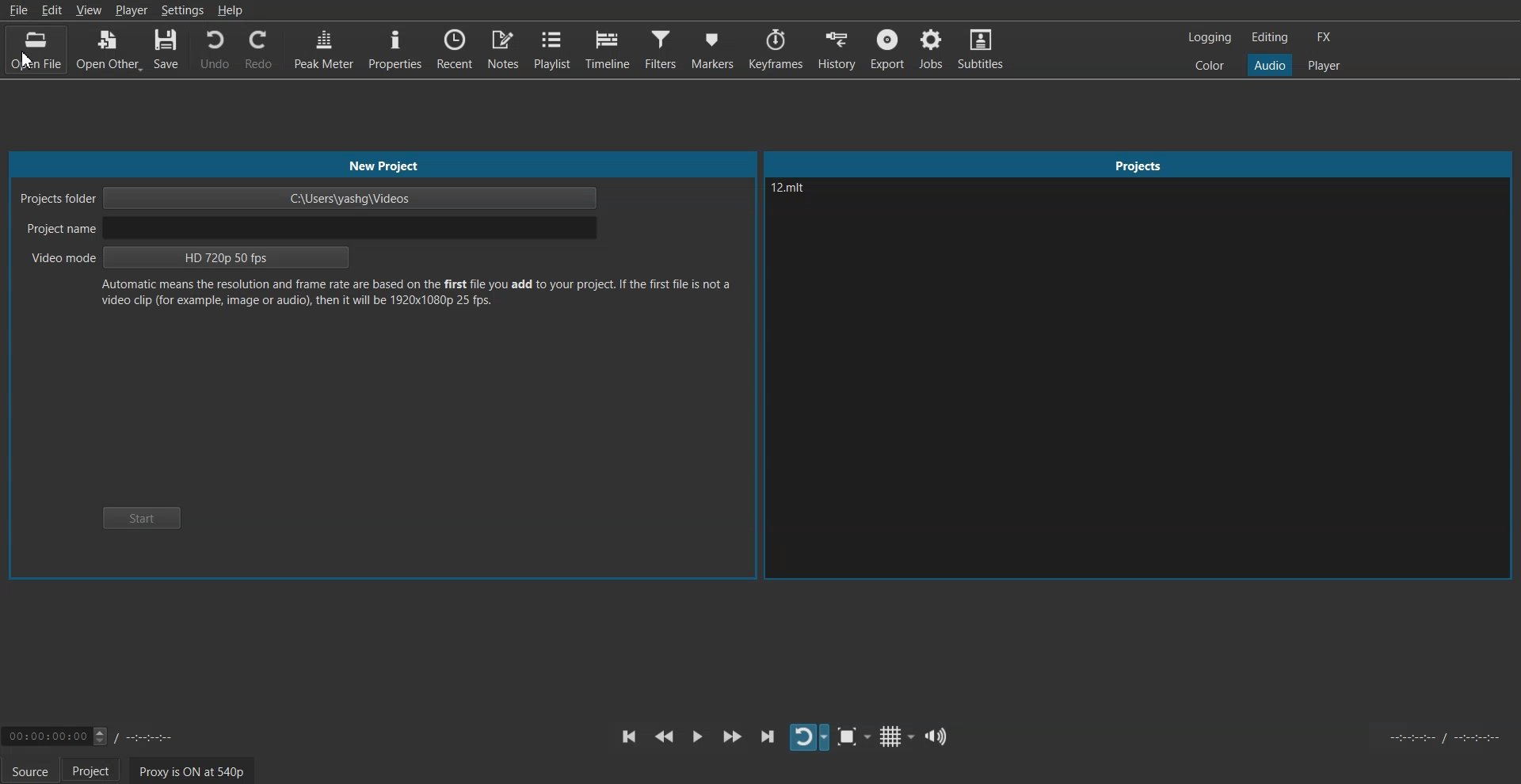 This screenshot has height=784, width=1521. What do you see at coordinates (1270, 36) in the screenshot?
I see `Editing` at bounding box center [1270, 36].